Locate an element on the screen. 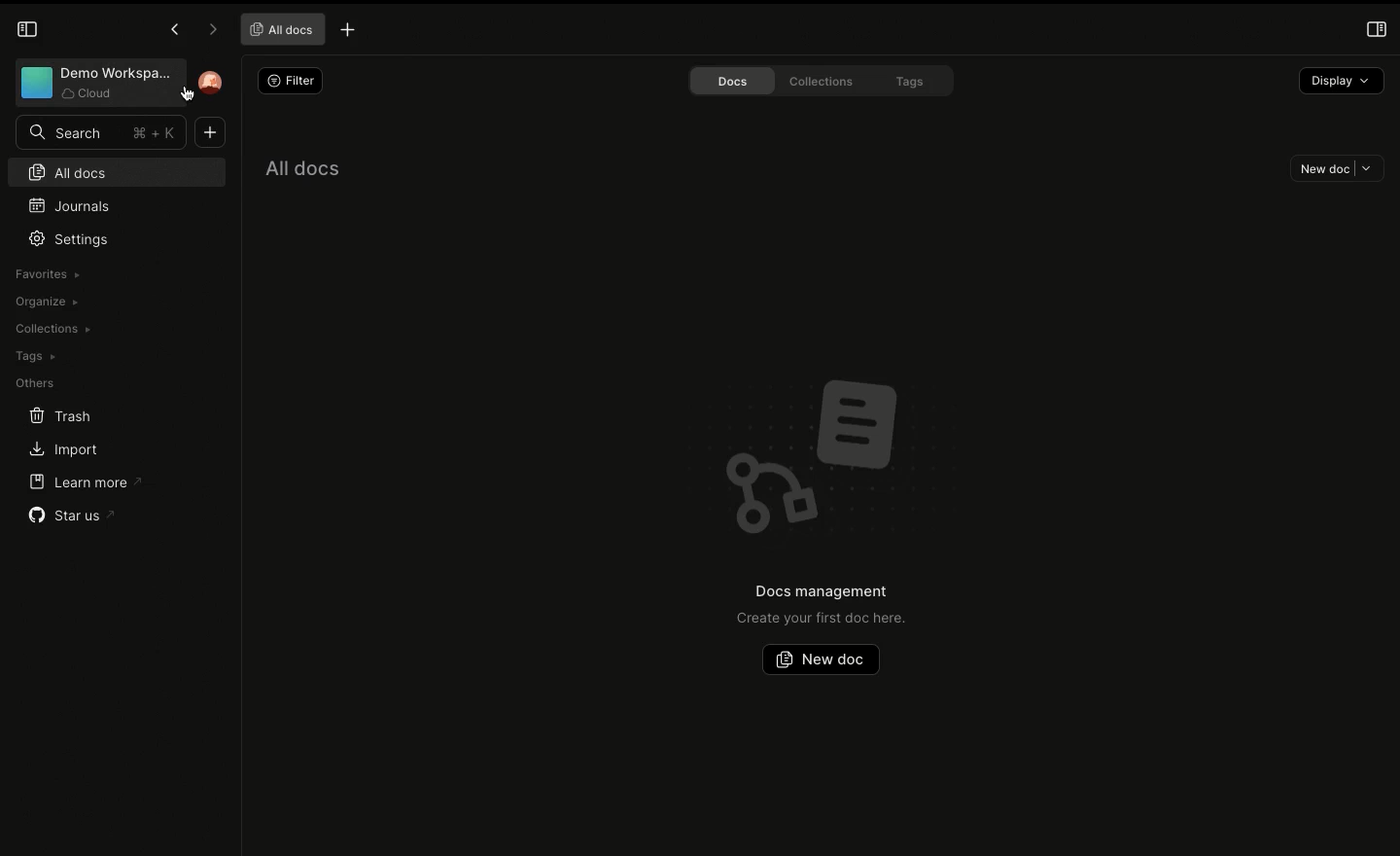  Add new document is located at coordinates (209, 132).